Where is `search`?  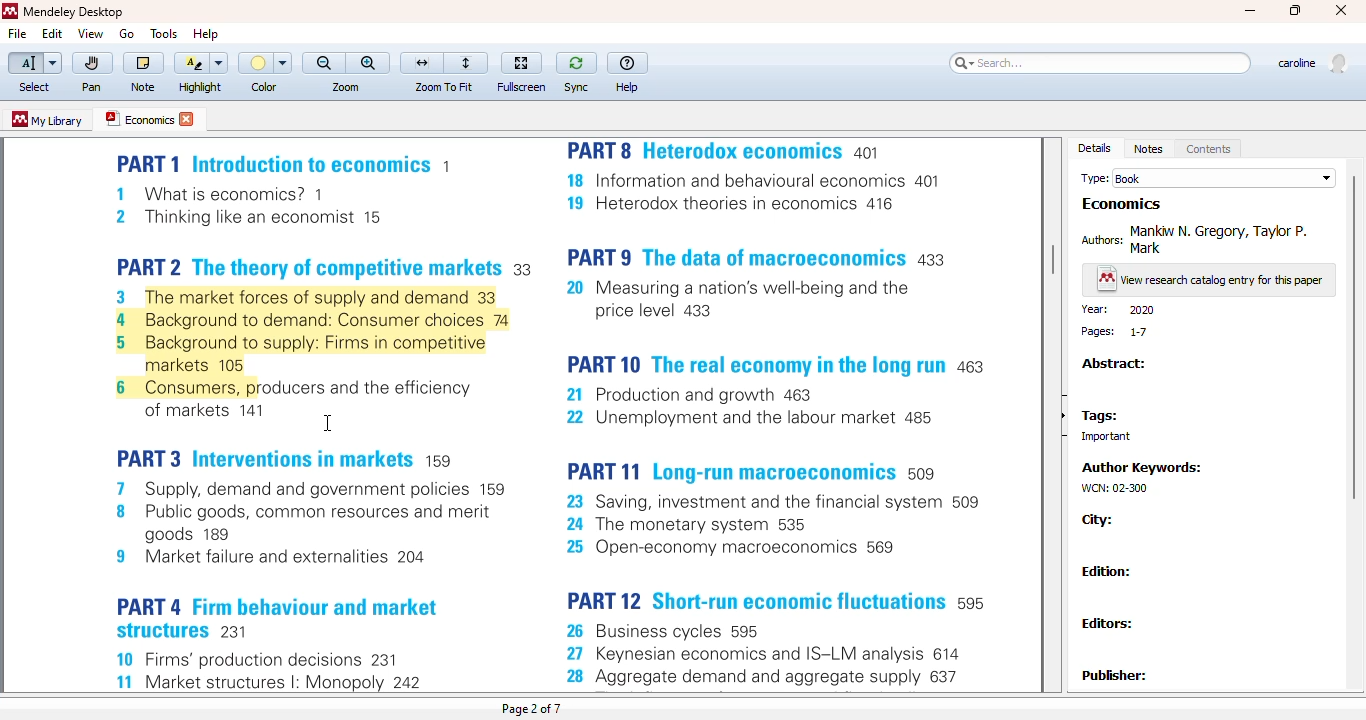
search is located at coordinates (1100, 63).